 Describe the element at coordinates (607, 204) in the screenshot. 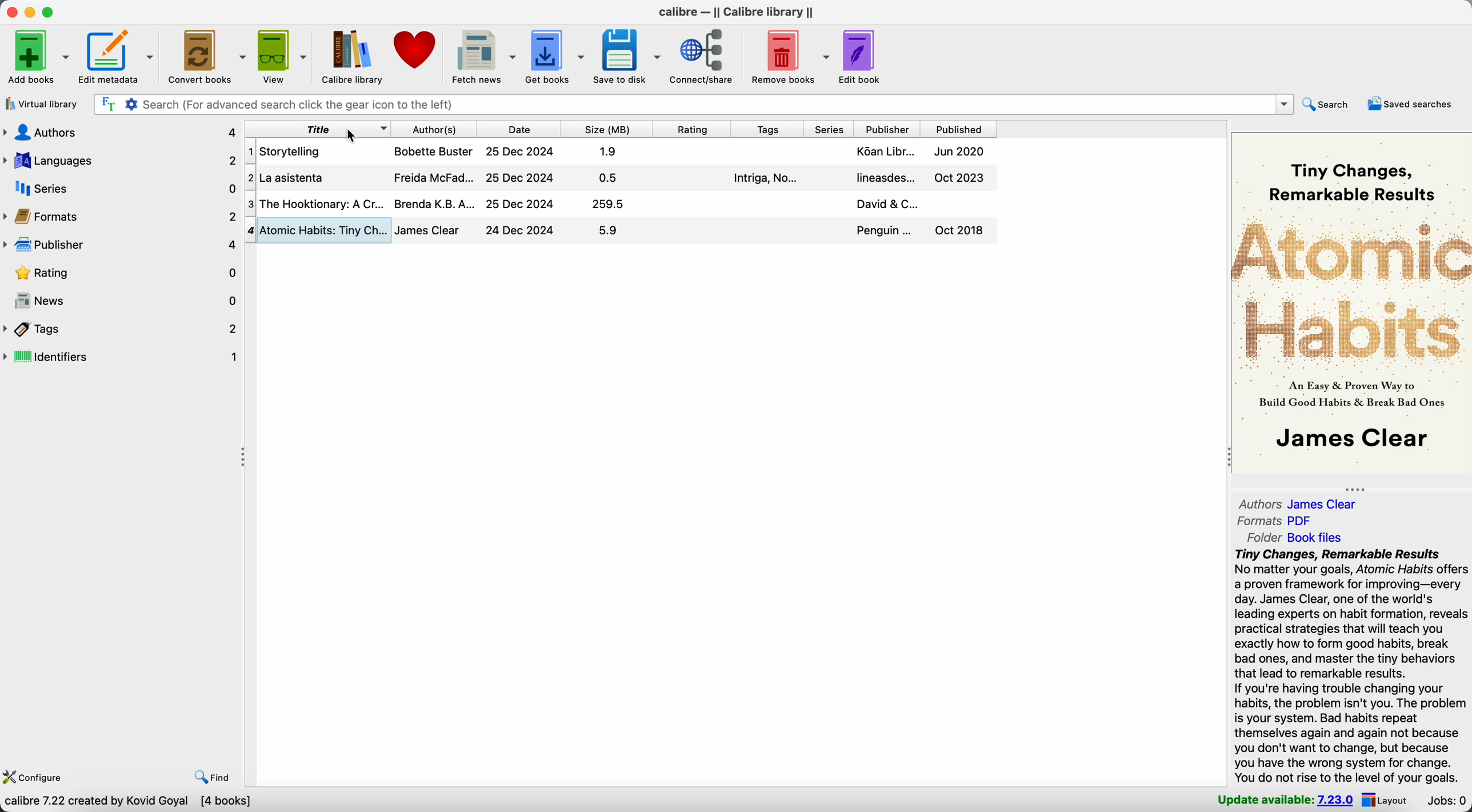

I see `259.5` at that location.